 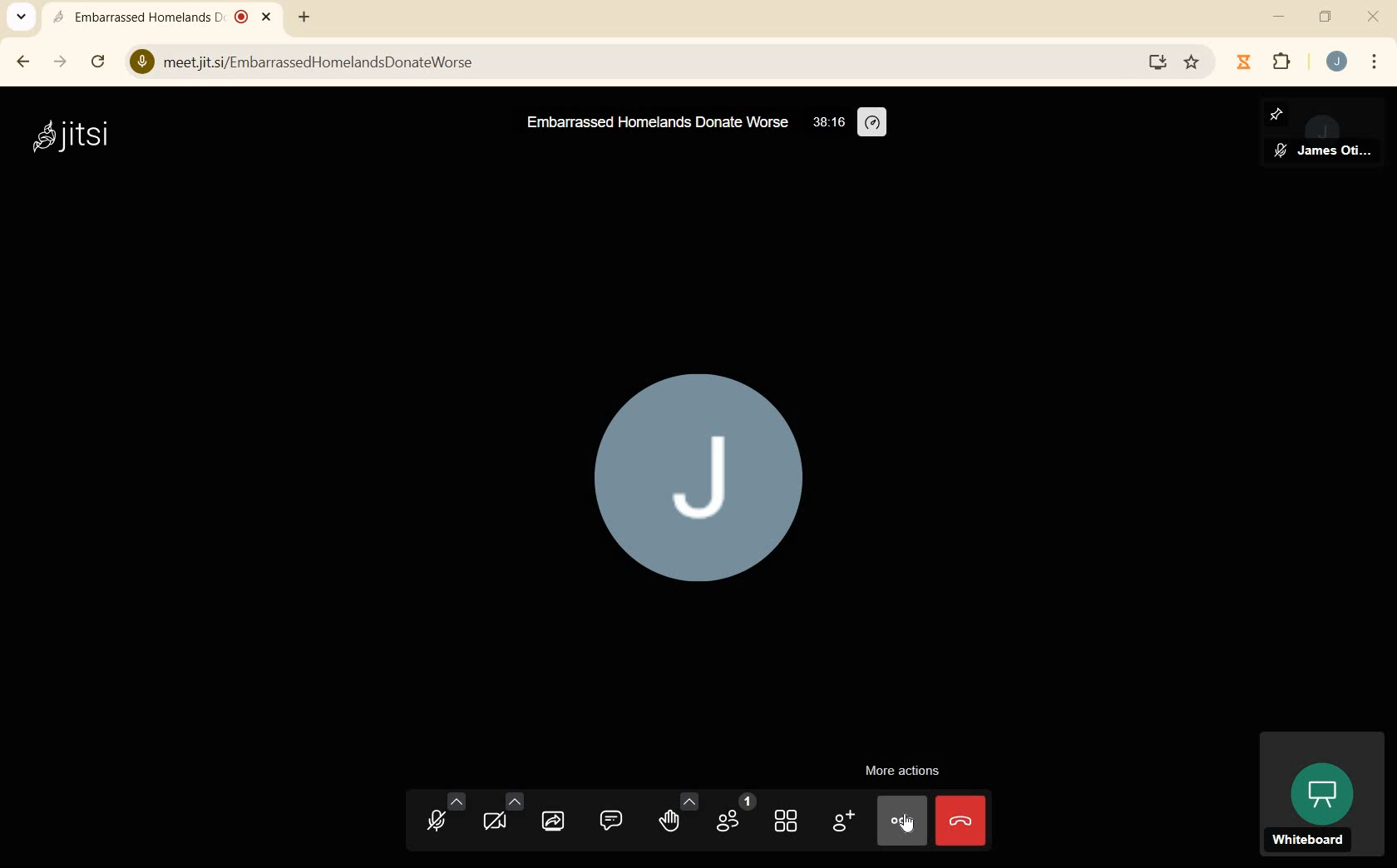 I want to click on minimize, so click(x=1276, y=17).